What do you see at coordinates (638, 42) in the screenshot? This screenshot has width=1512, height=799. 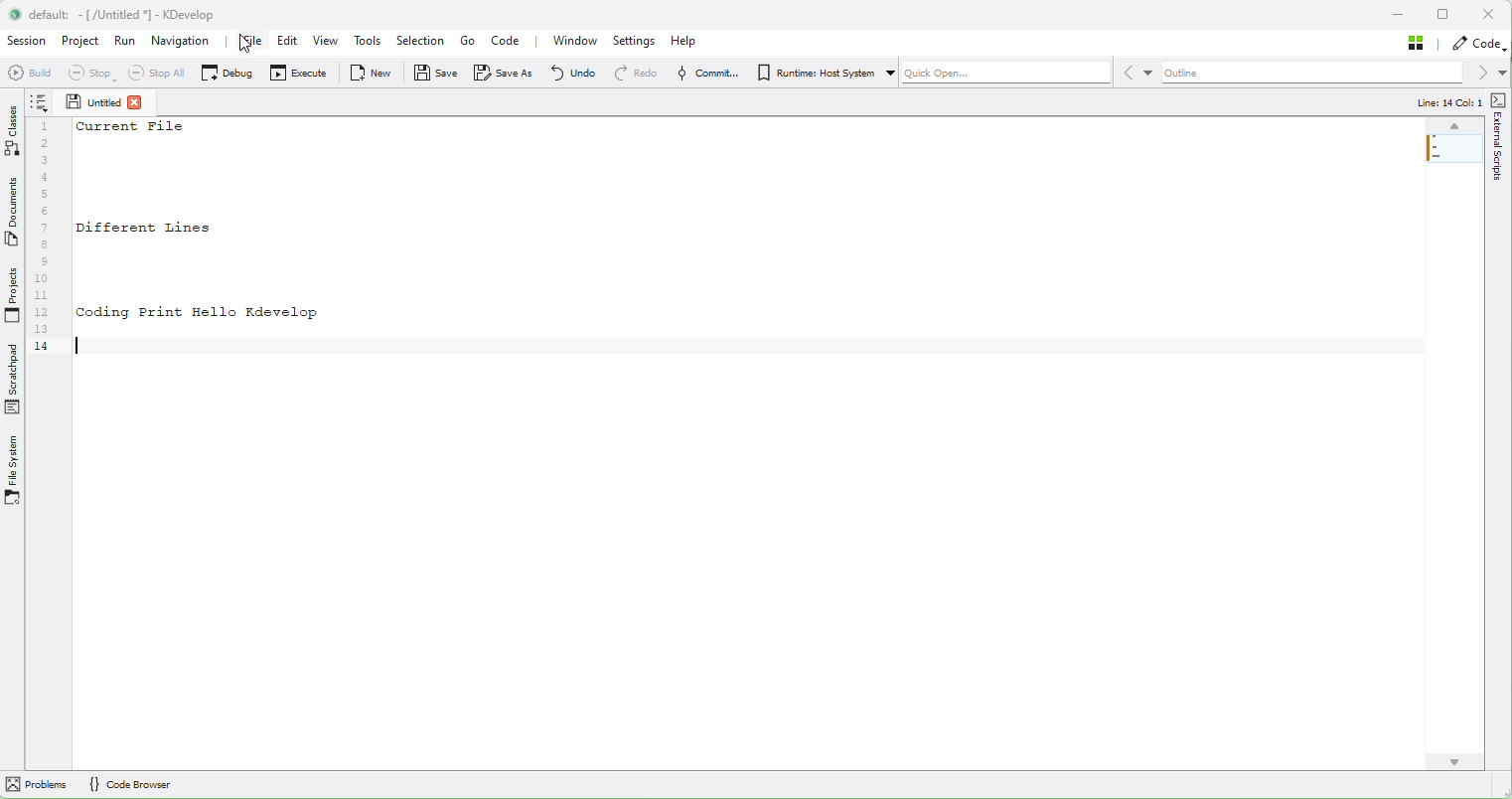 I see `Settings` at bounding box center [638, 42].